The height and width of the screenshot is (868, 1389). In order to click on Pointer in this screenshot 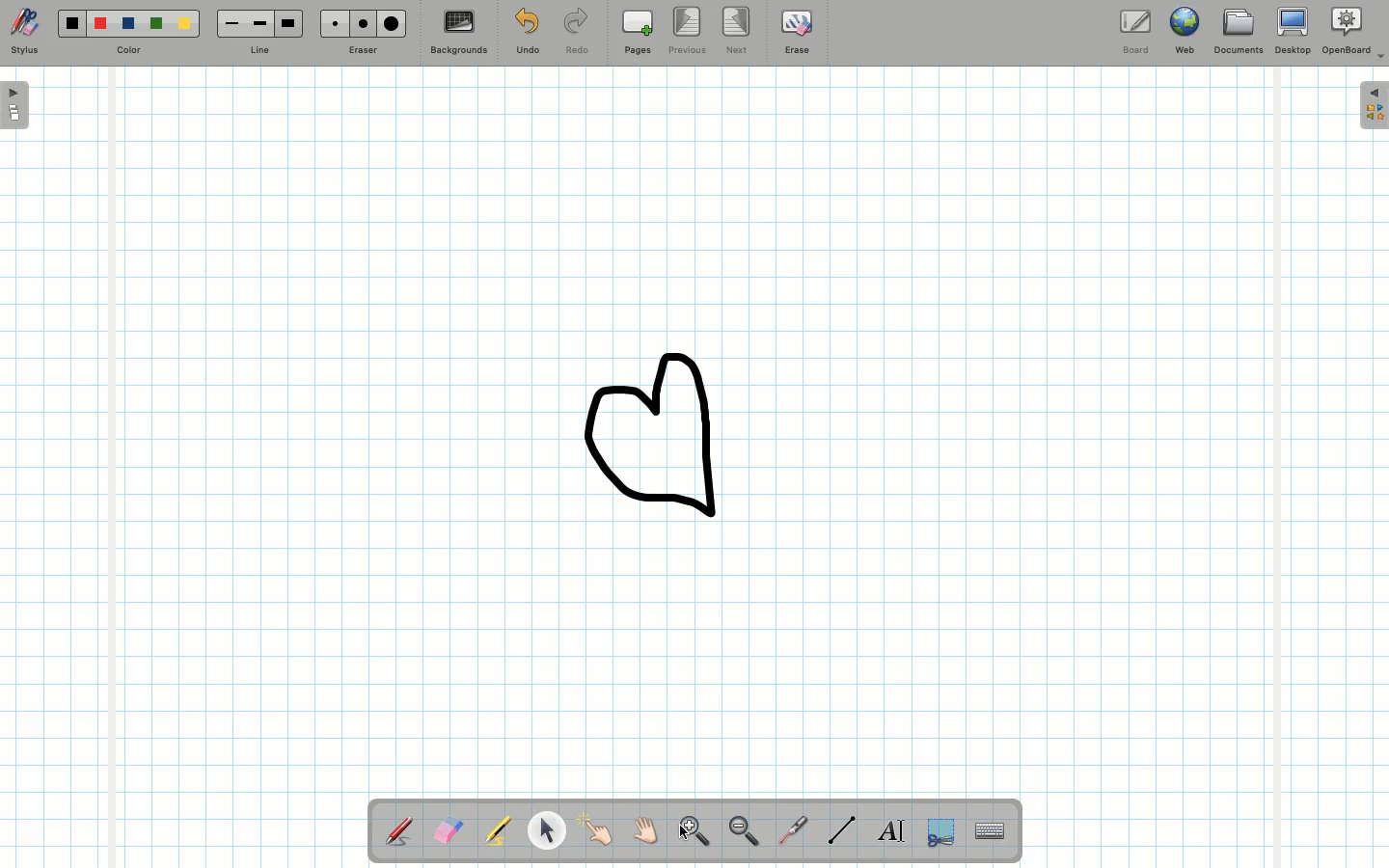, I will do `click(690, 817)`.